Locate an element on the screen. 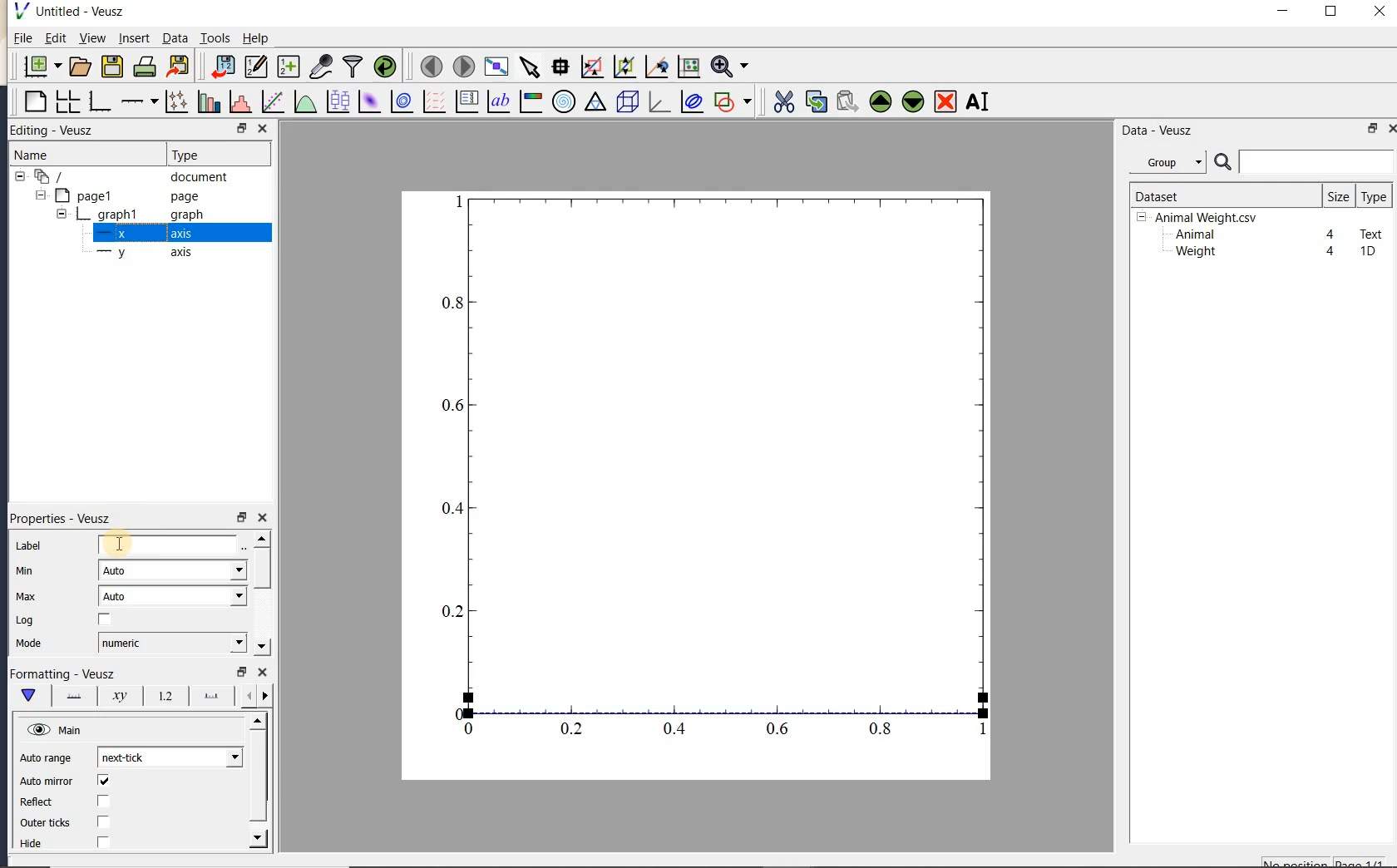 The image size is (1397, 868). plot a function is located at coordinates (304, 104).